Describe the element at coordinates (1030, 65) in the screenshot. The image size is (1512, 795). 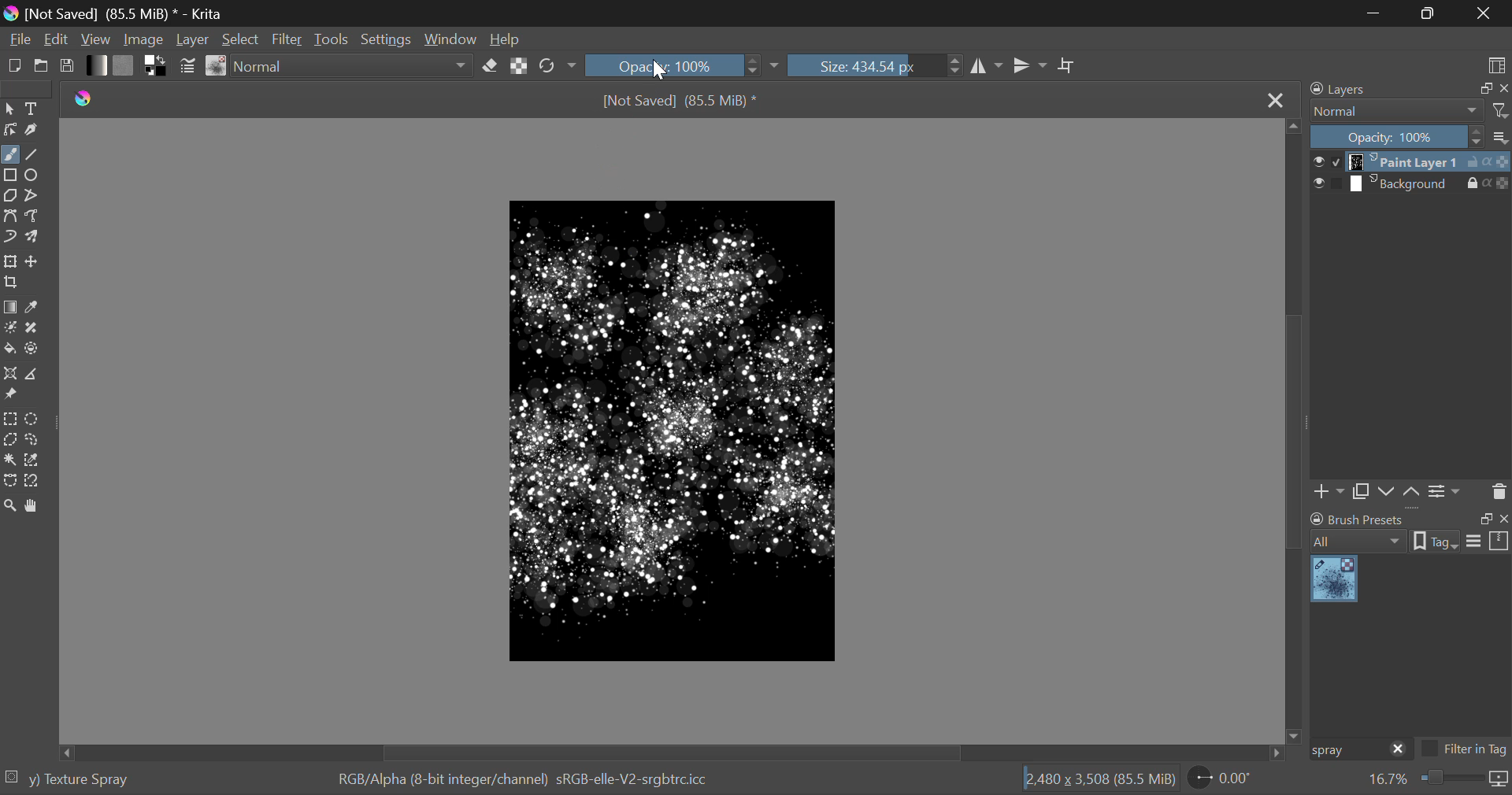
I see `Horizontal Mirror Flip` at that location.